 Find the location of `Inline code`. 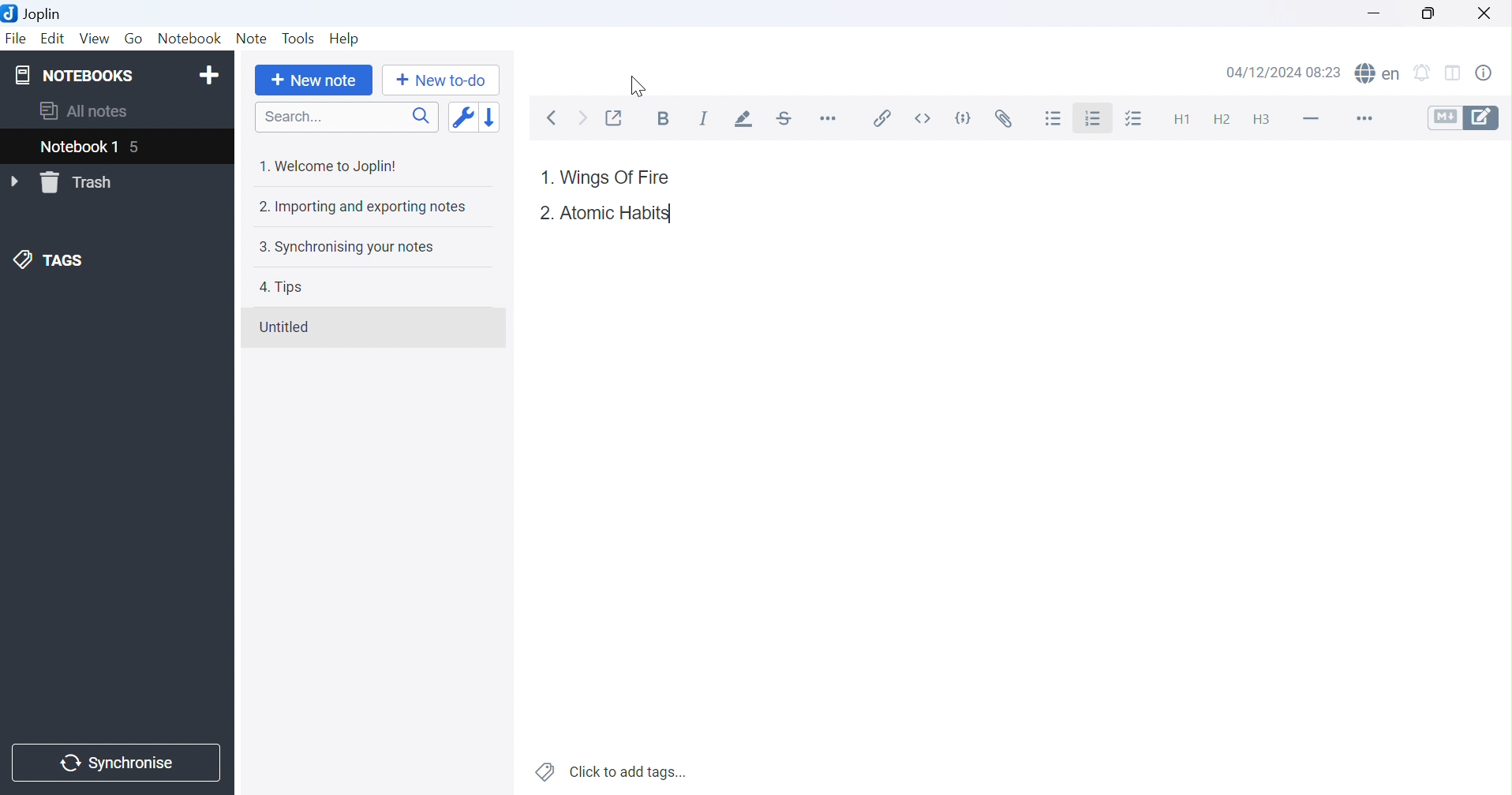

Inline code is located at coordinates (922, 118).